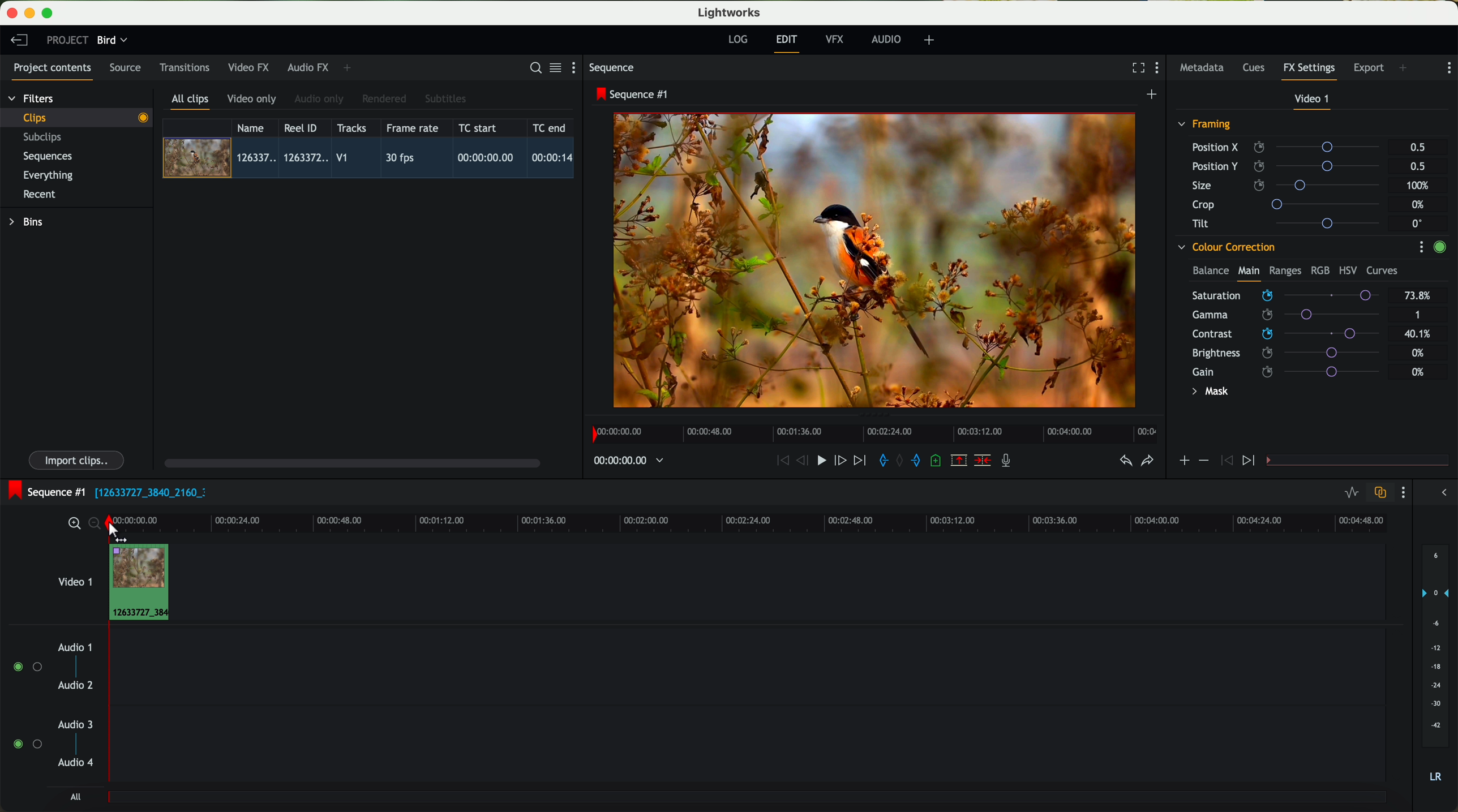  Describe the element at coordinates (1369, 69) in the screenshot. I see `export` at that location.